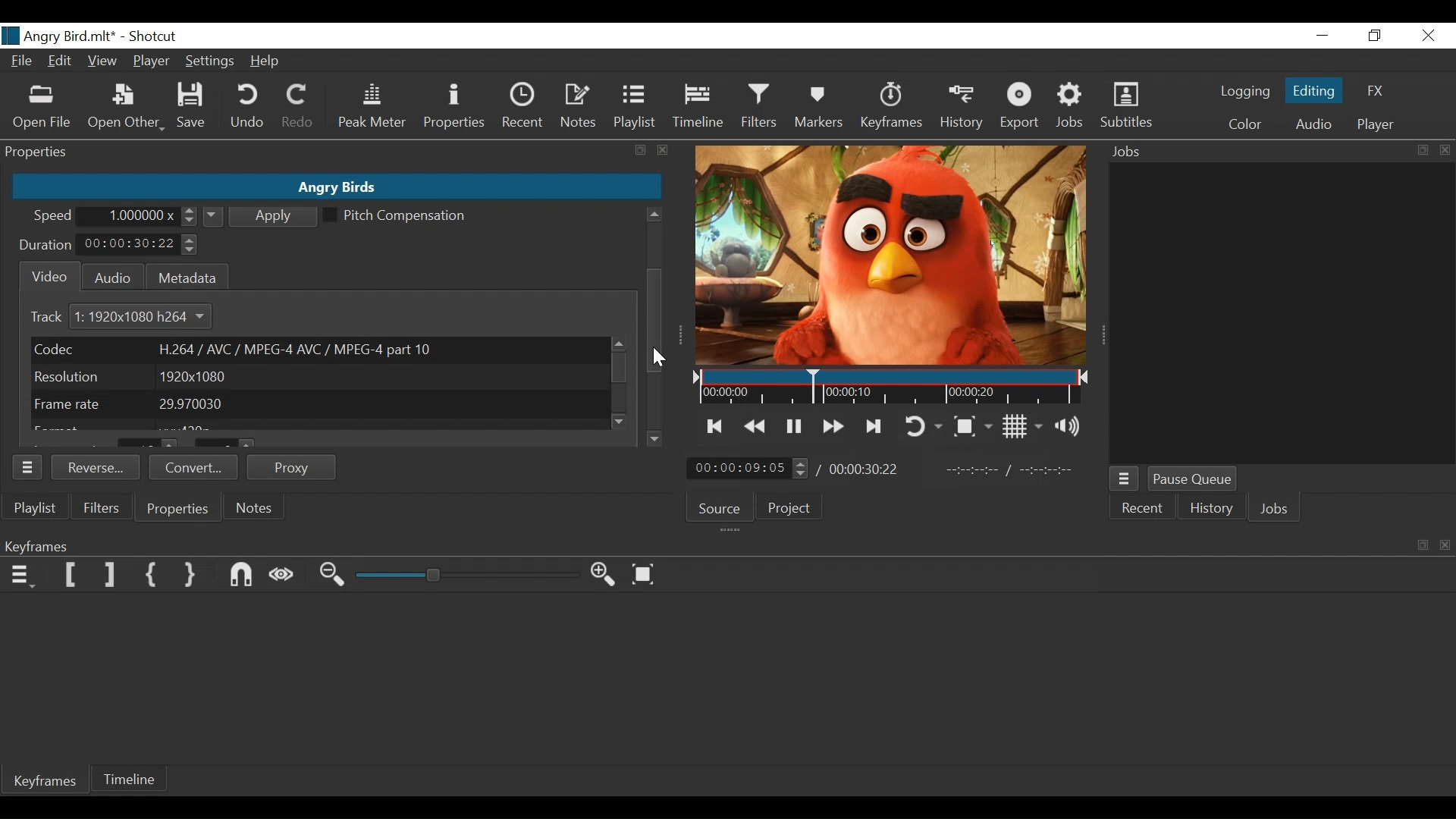 The width and height of the screenshot is (1456, 819). Describe the element at coordinates (208, 63) in the screenshot. I see `Settings` at that location.